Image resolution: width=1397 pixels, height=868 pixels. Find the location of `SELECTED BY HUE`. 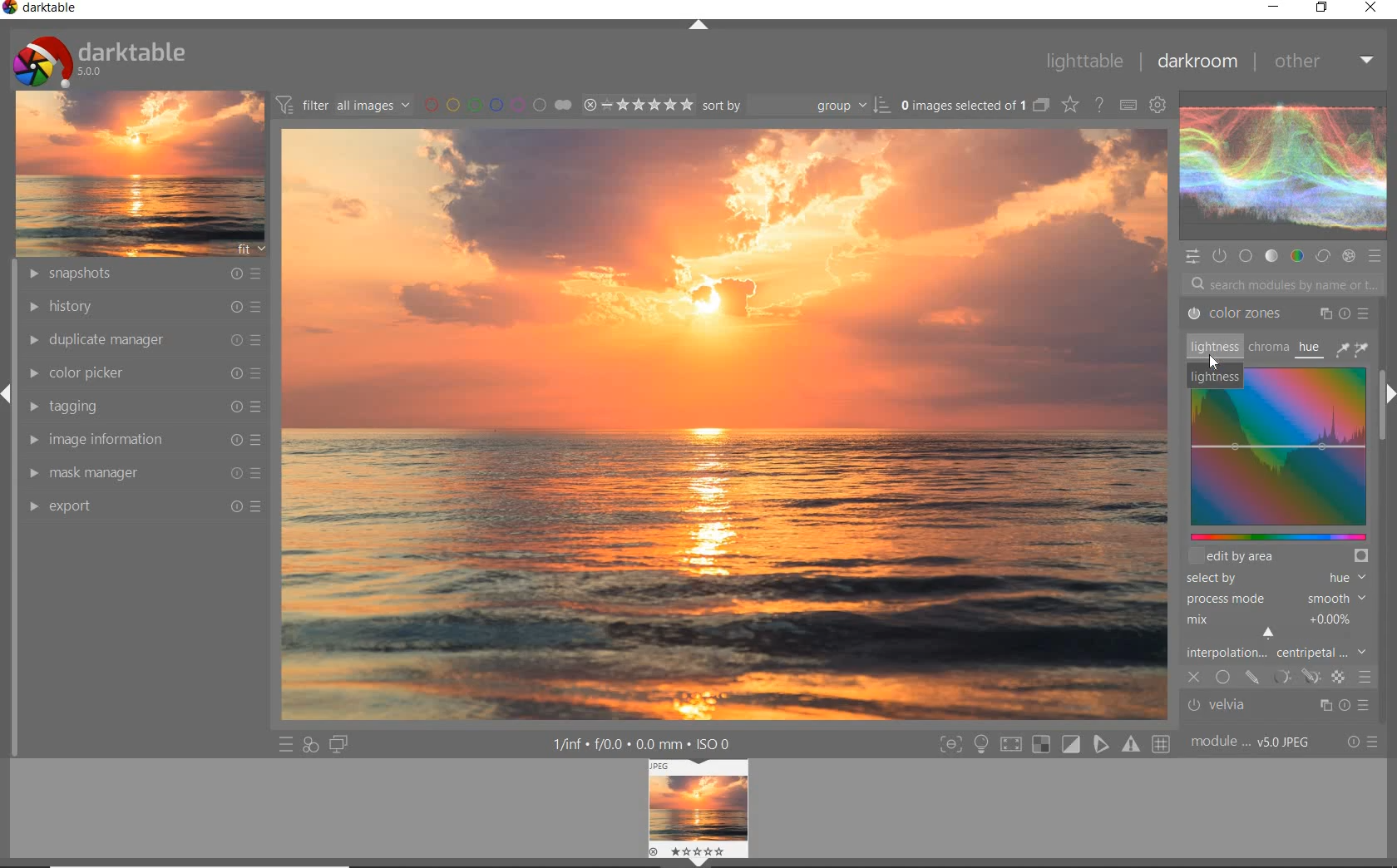

SELECTED BY HUE is located at coordinates (1276, 578).